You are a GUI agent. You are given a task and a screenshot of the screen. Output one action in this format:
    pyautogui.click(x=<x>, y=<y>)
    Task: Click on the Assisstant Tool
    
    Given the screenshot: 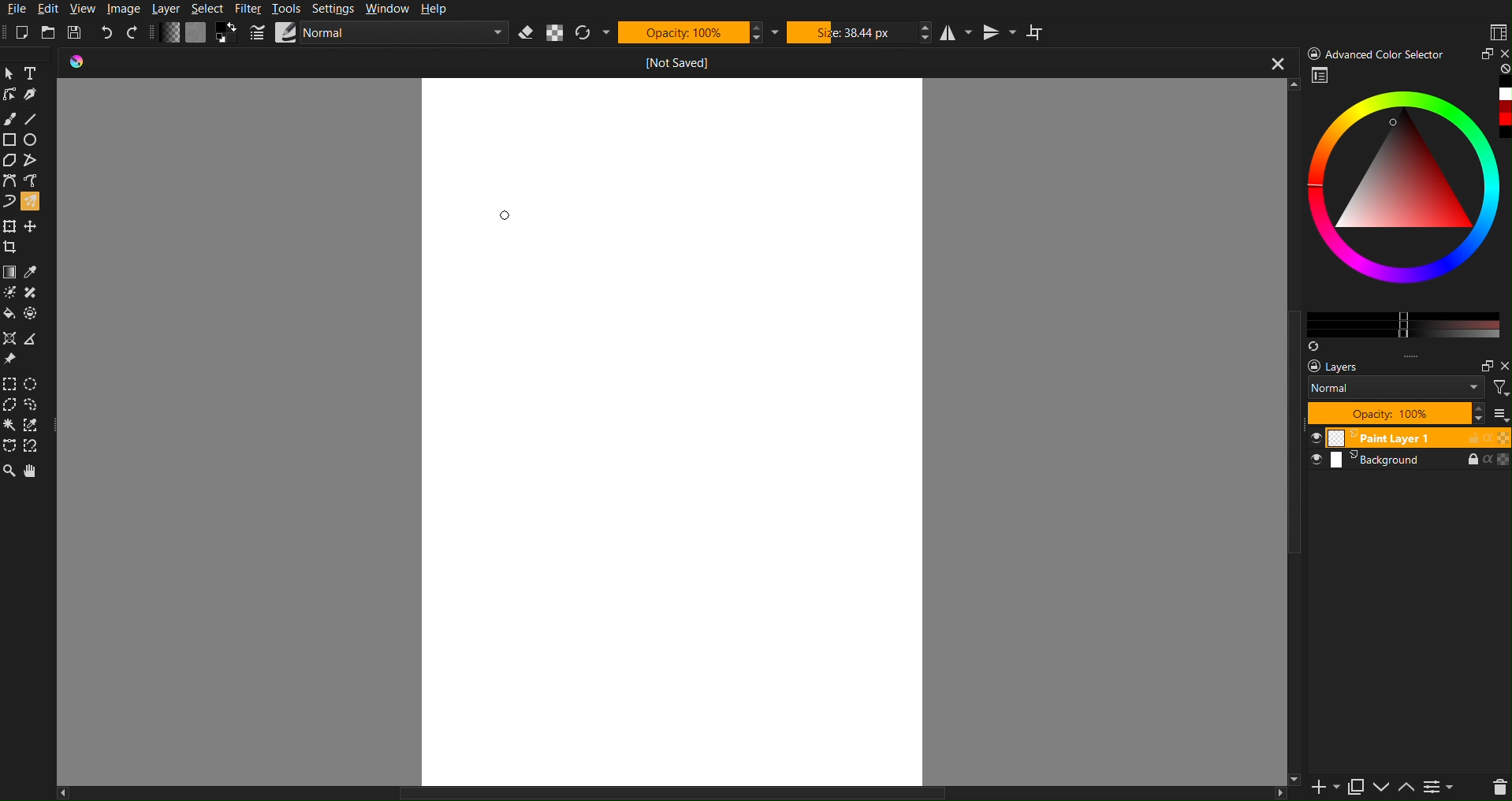 What is the action you would take?
    pyautogui.click(x=12, y=339)
    